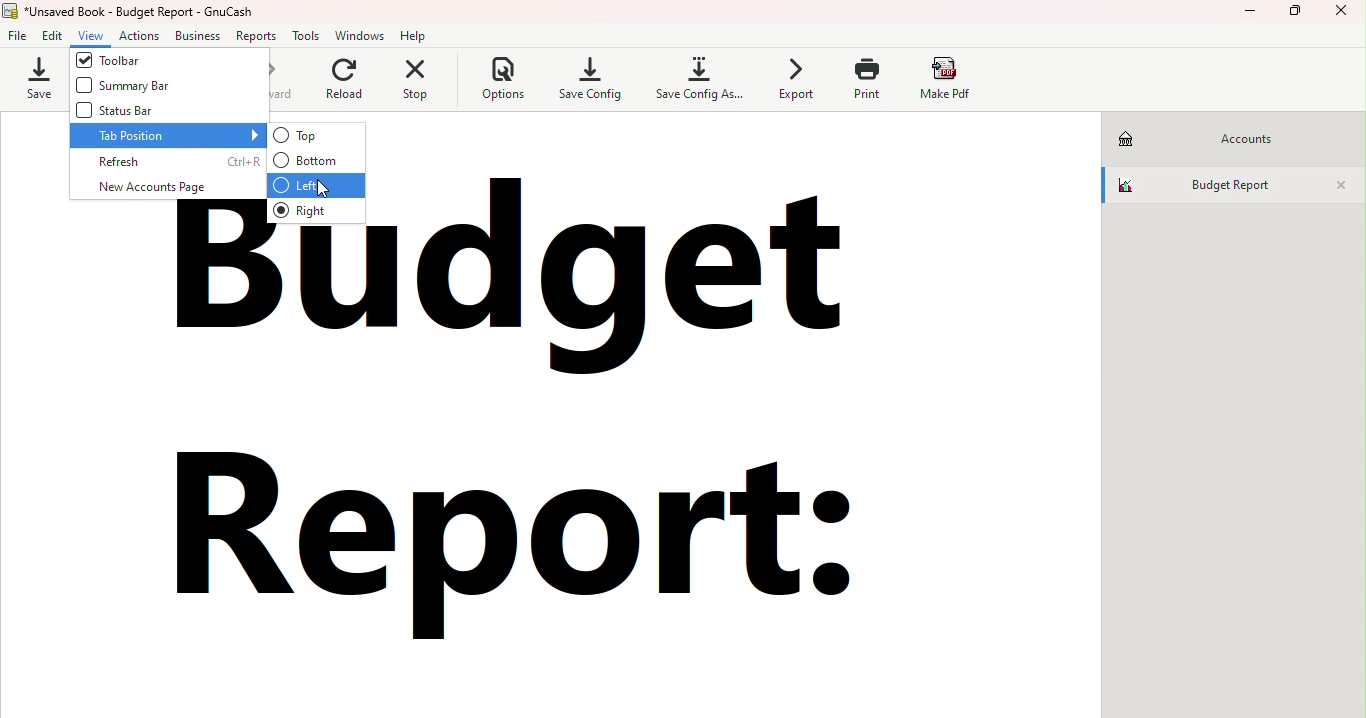 This screenshot has height=718, width=1366. I want to click on Top, so click(318, 135).